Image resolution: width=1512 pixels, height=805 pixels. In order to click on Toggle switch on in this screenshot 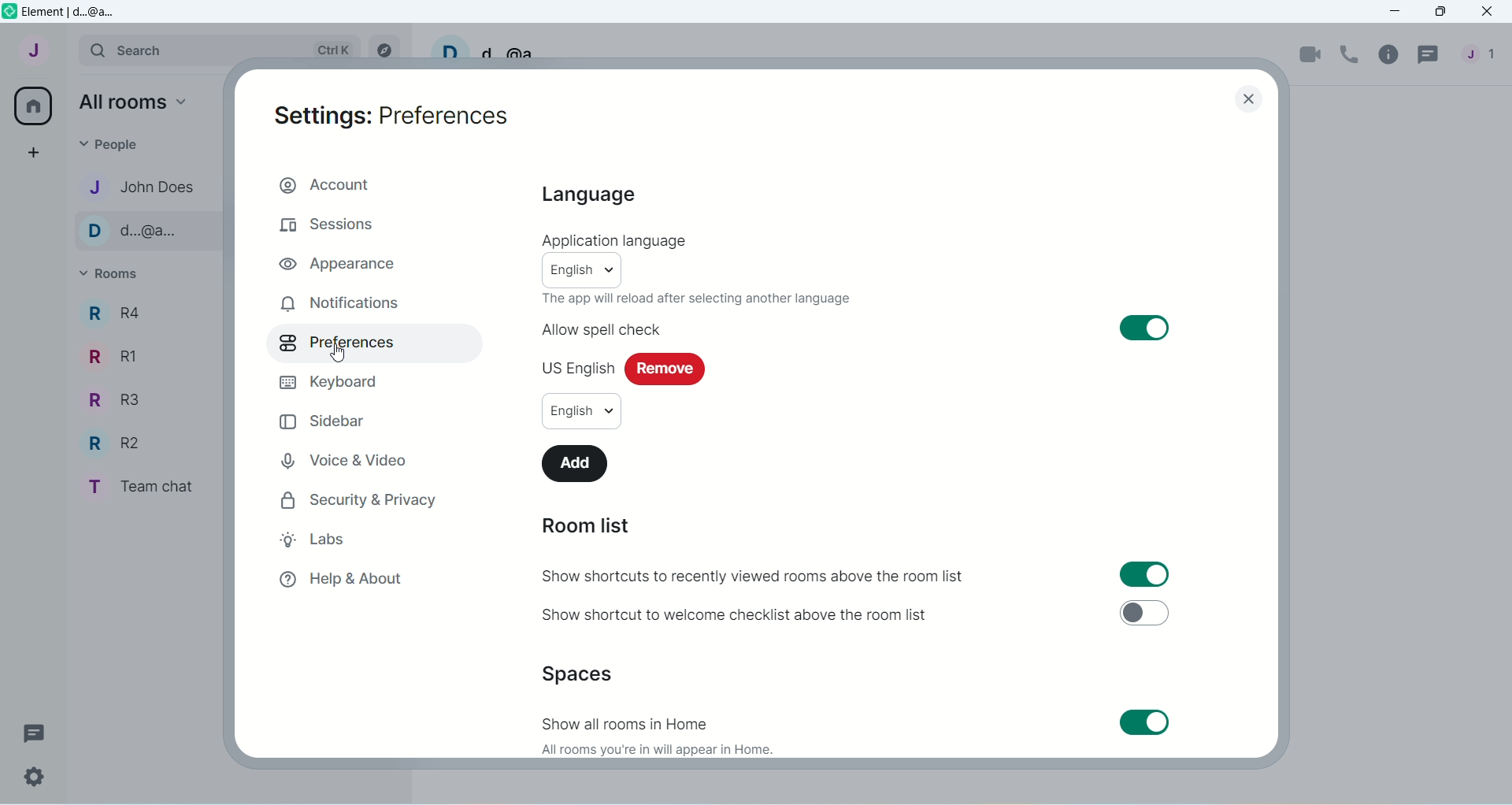, I will do `click(1145, 328)`.